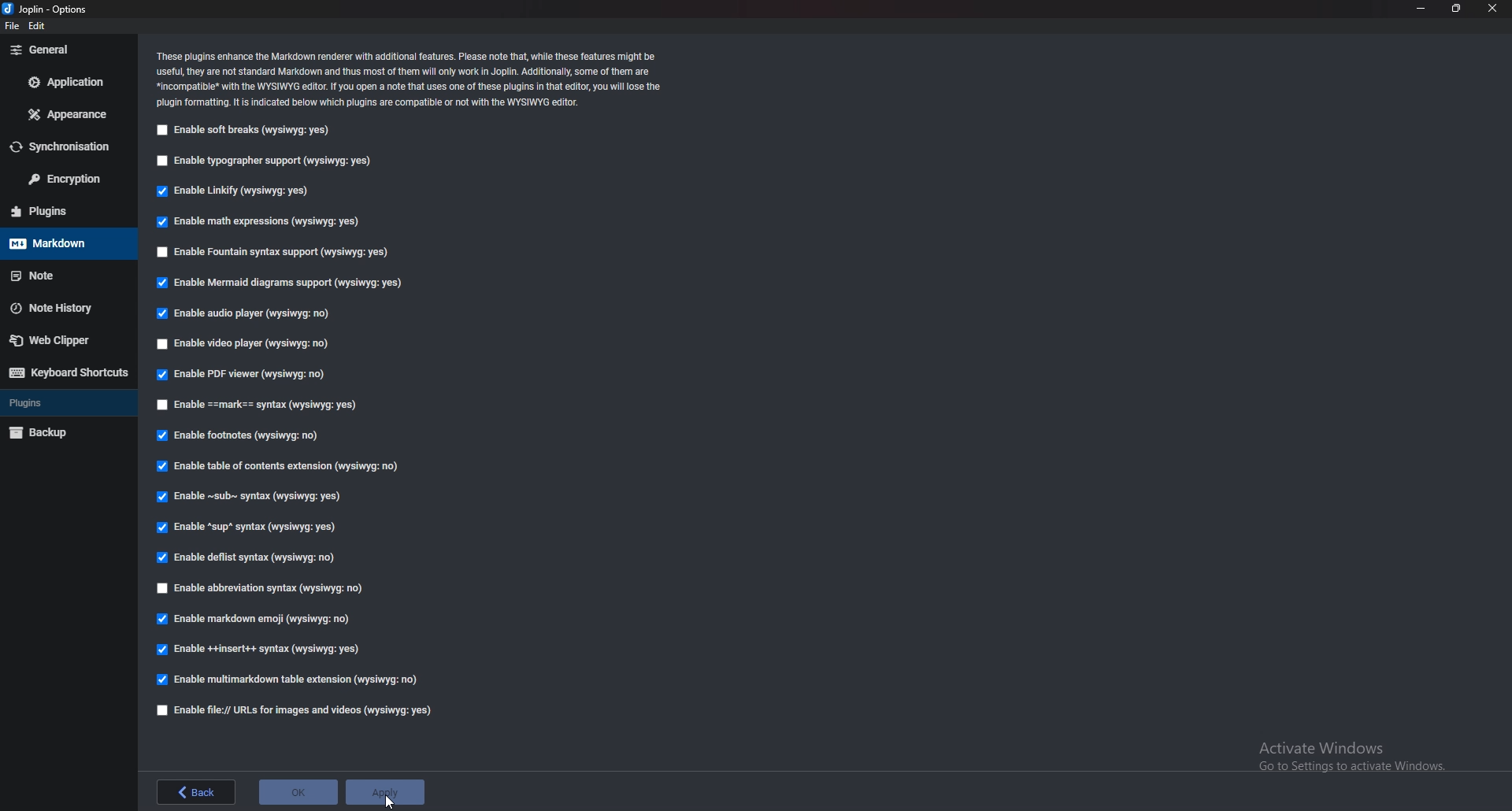 Image resolution: width=1512 pixels, height=811 pixels. Describe the element at coordinates (15, 24) in the screenshot. I see `file` at that location.